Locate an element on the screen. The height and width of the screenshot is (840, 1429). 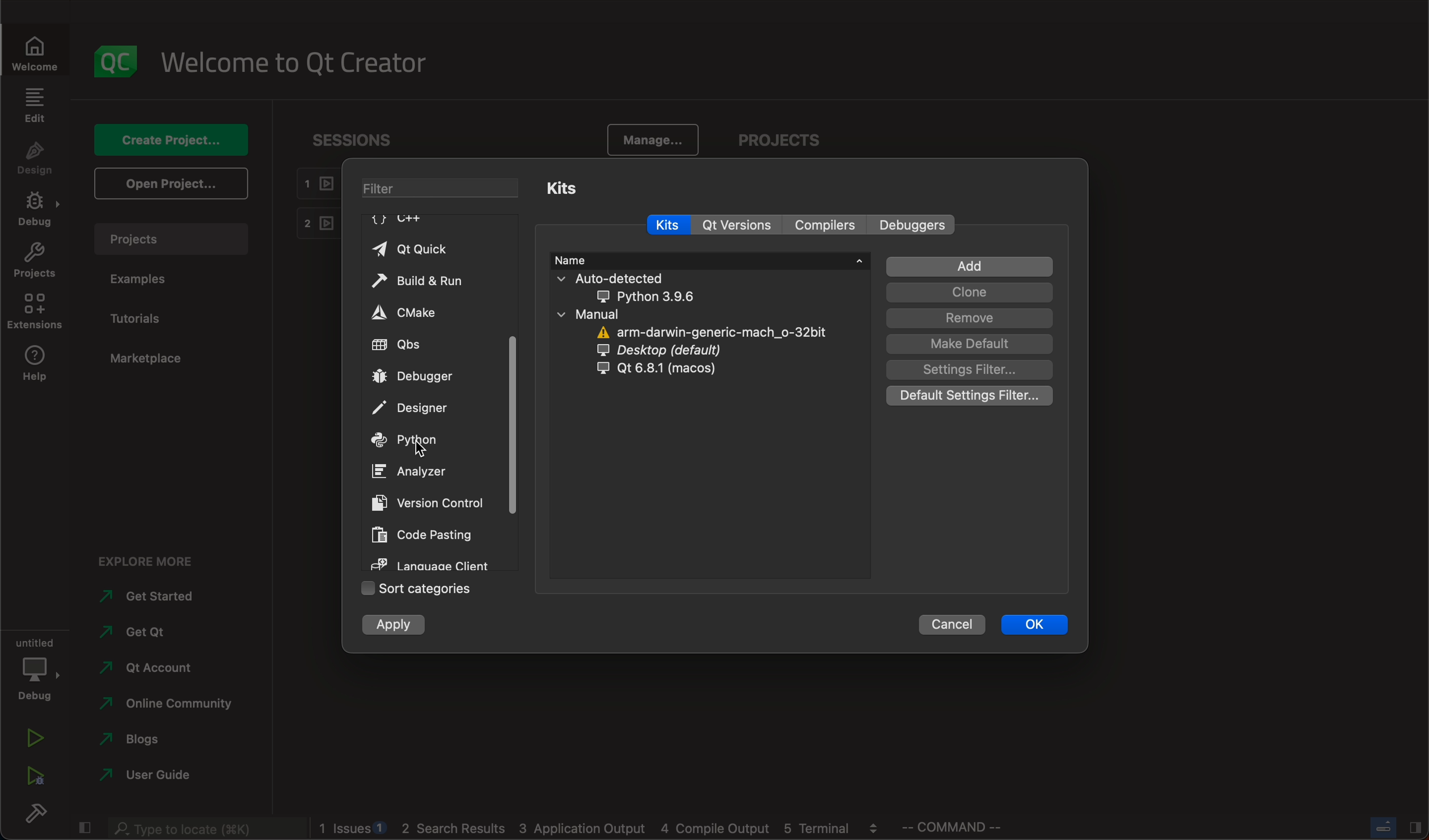
projects is located at coordinates (171, 239).